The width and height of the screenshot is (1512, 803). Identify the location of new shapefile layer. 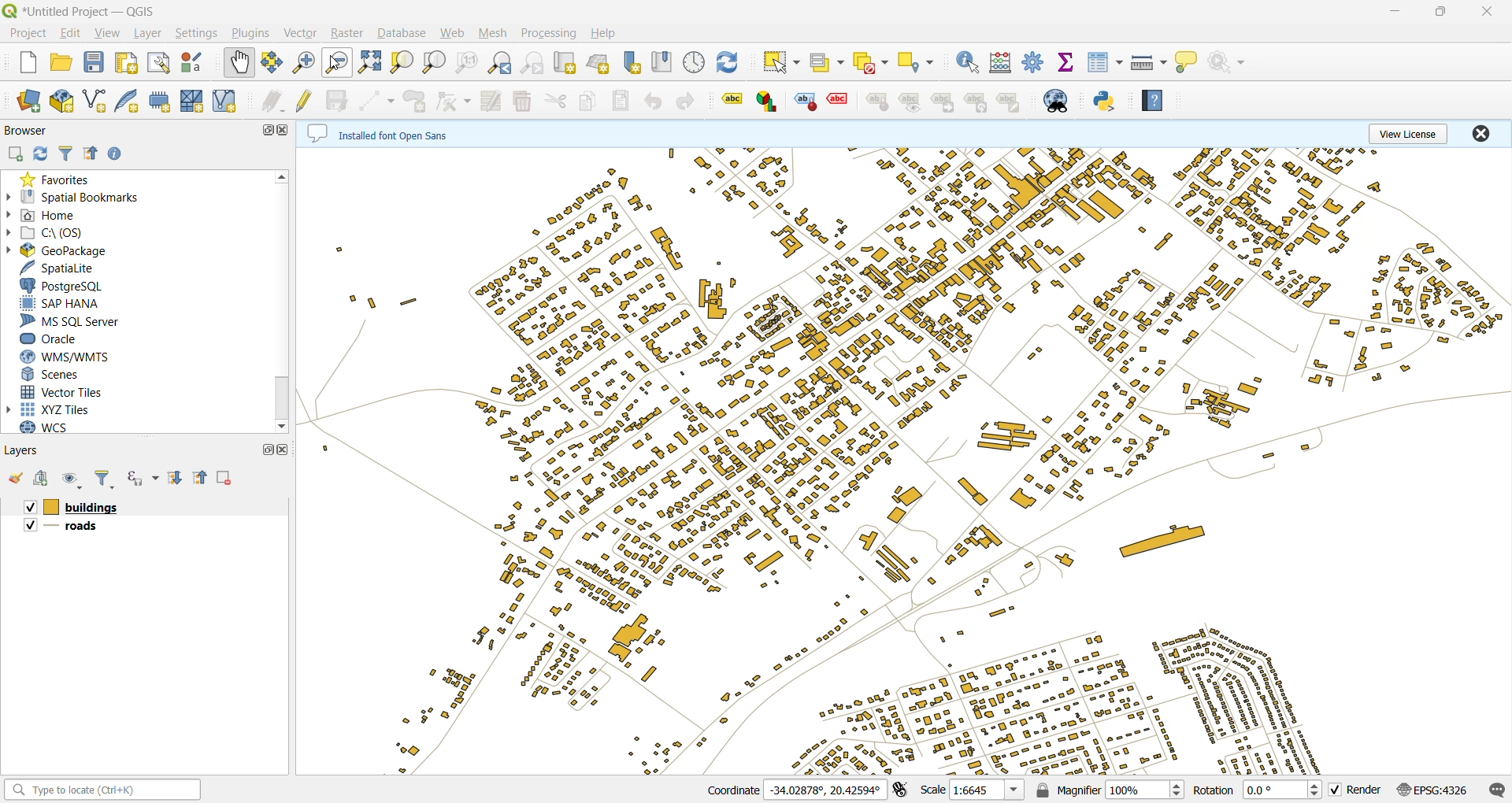
(98, 100).